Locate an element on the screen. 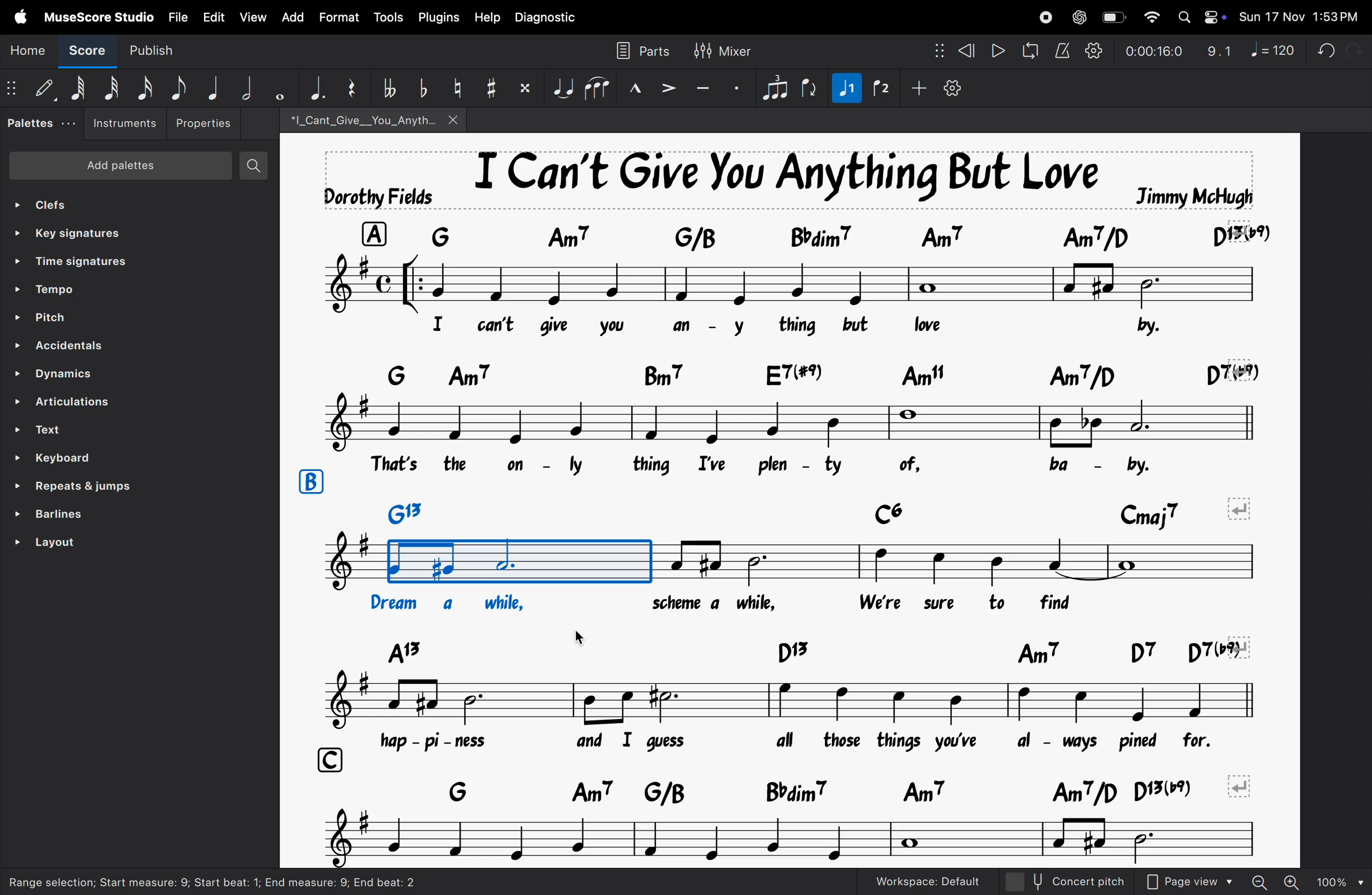  Home is located at coordinates (29, 50).